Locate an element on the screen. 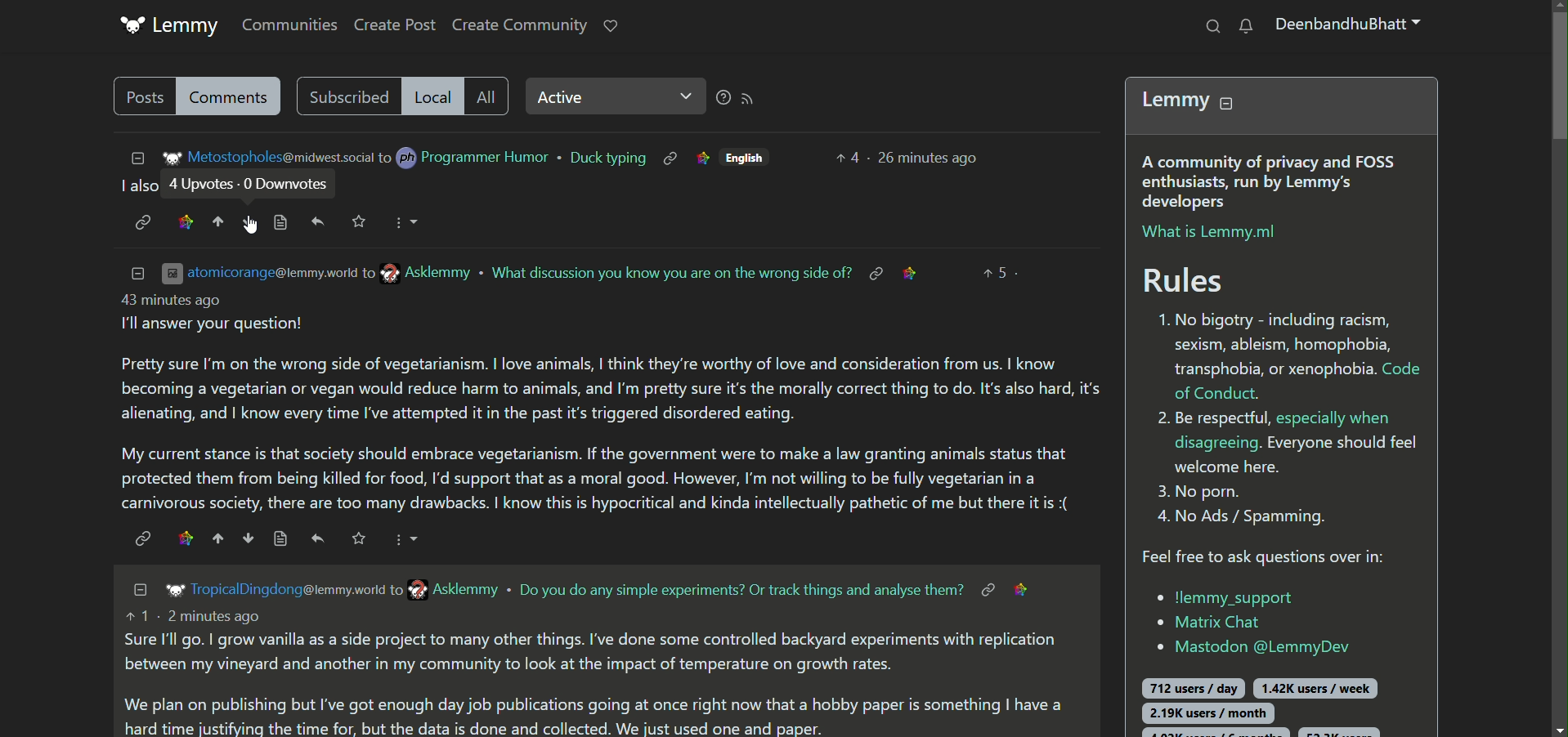 The image size is (1568, 737). email id is located at coordinates (268, 158).